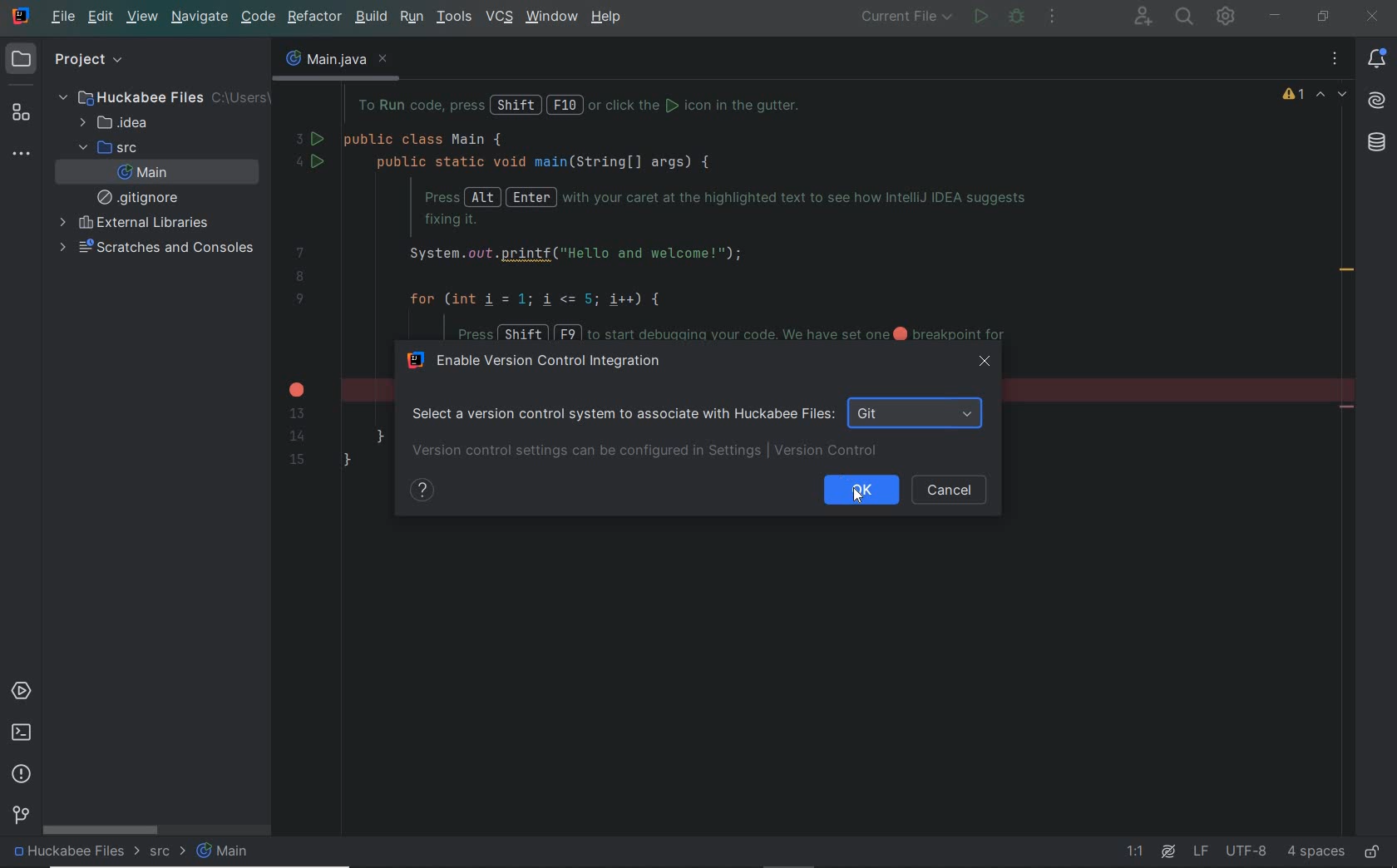  I want to click on structure, so click(20, 113).